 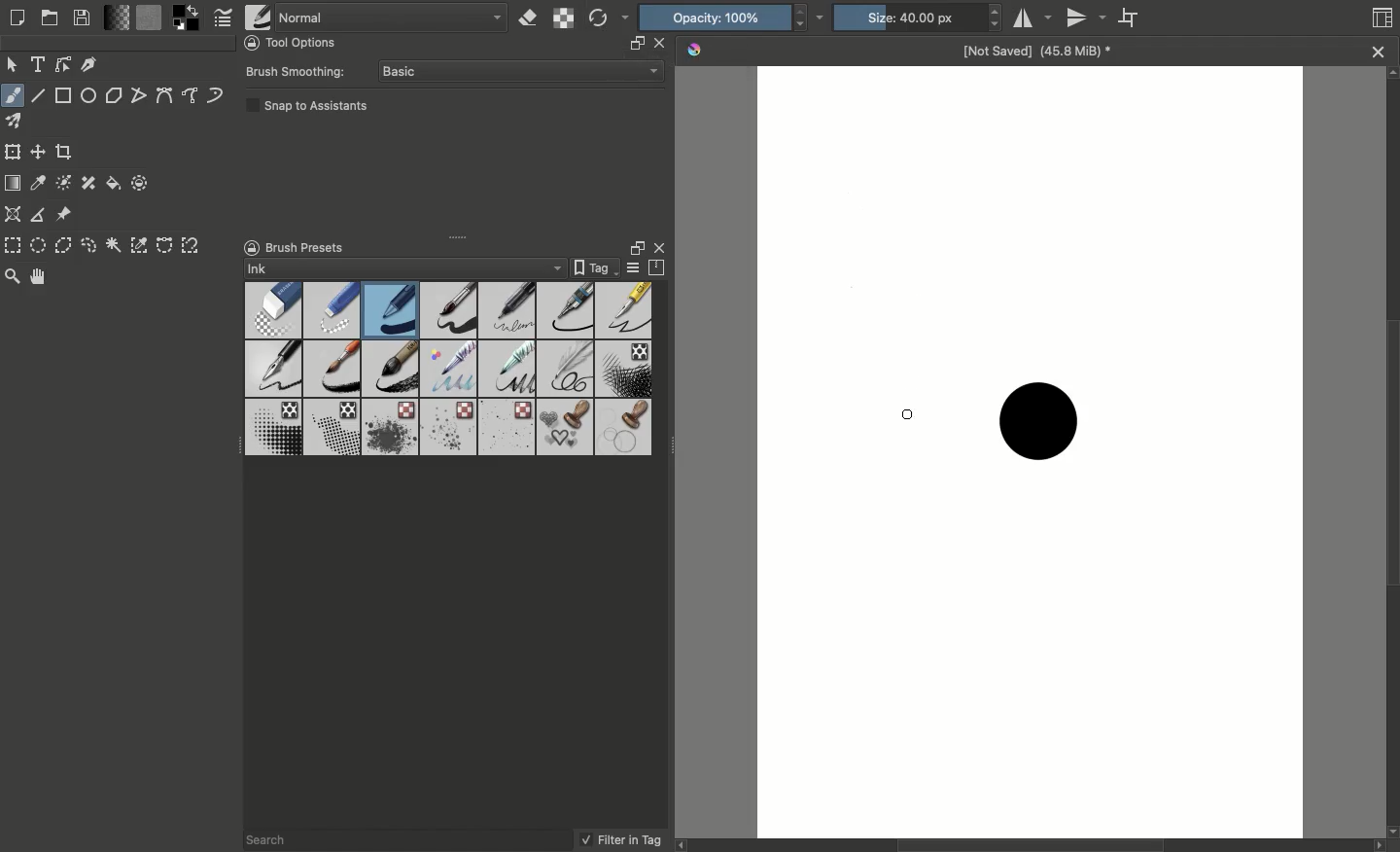 I want to click on Rectangular, so click(x=64, y=95).